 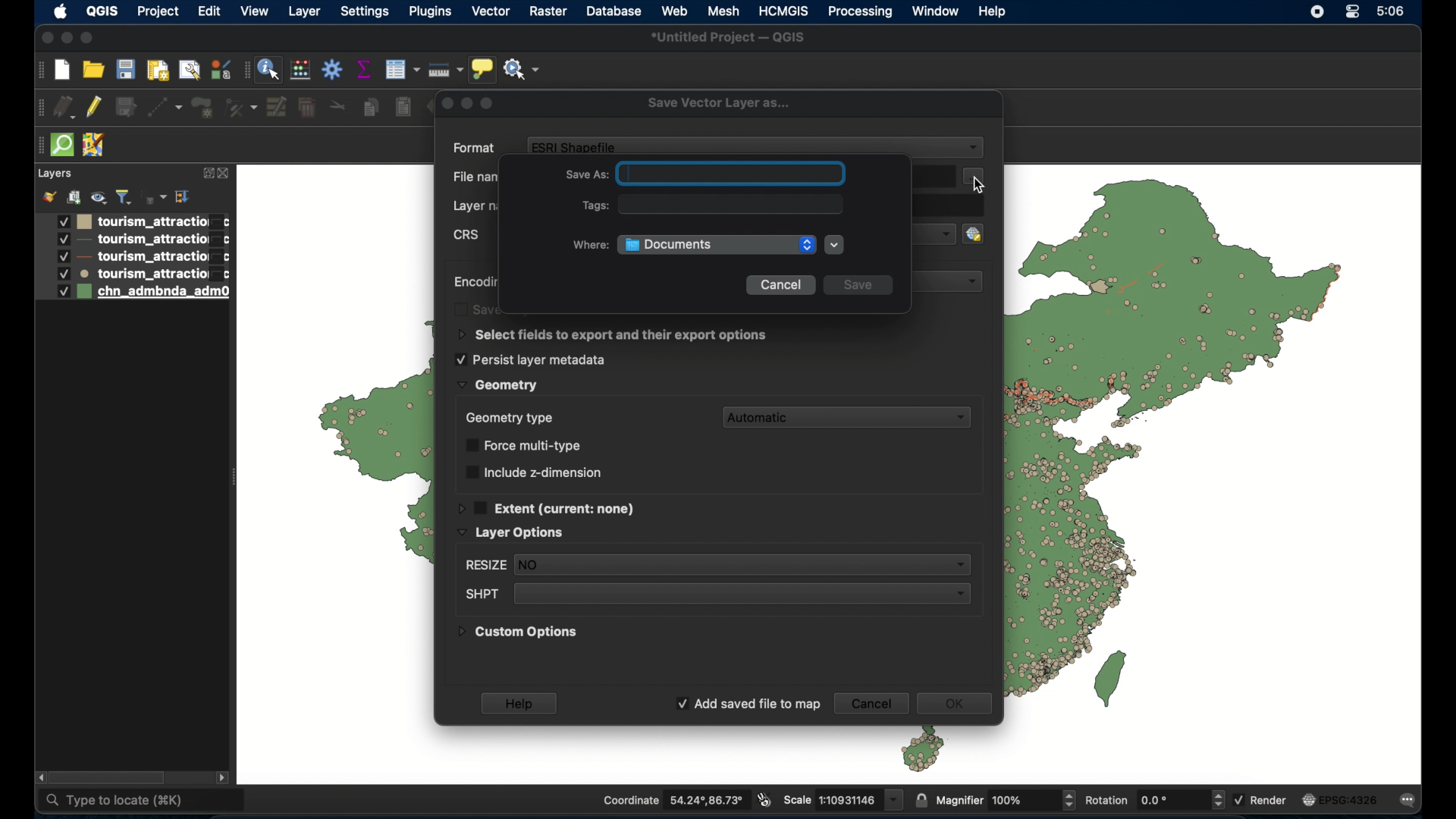 I want to click on view, so click(x=256, y=12).